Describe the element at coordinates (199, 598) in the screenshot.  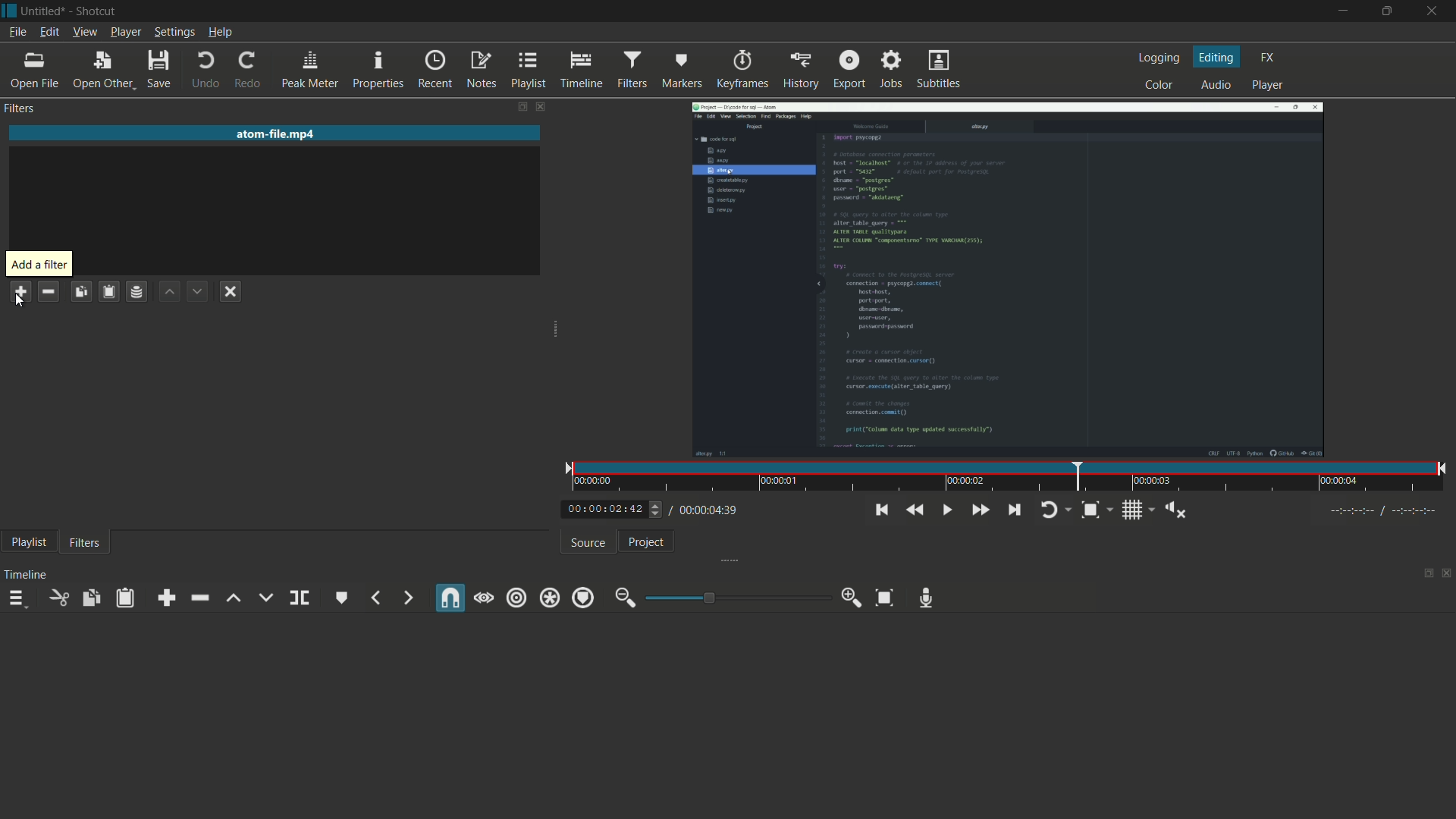
I see `ripple delete` at that location.